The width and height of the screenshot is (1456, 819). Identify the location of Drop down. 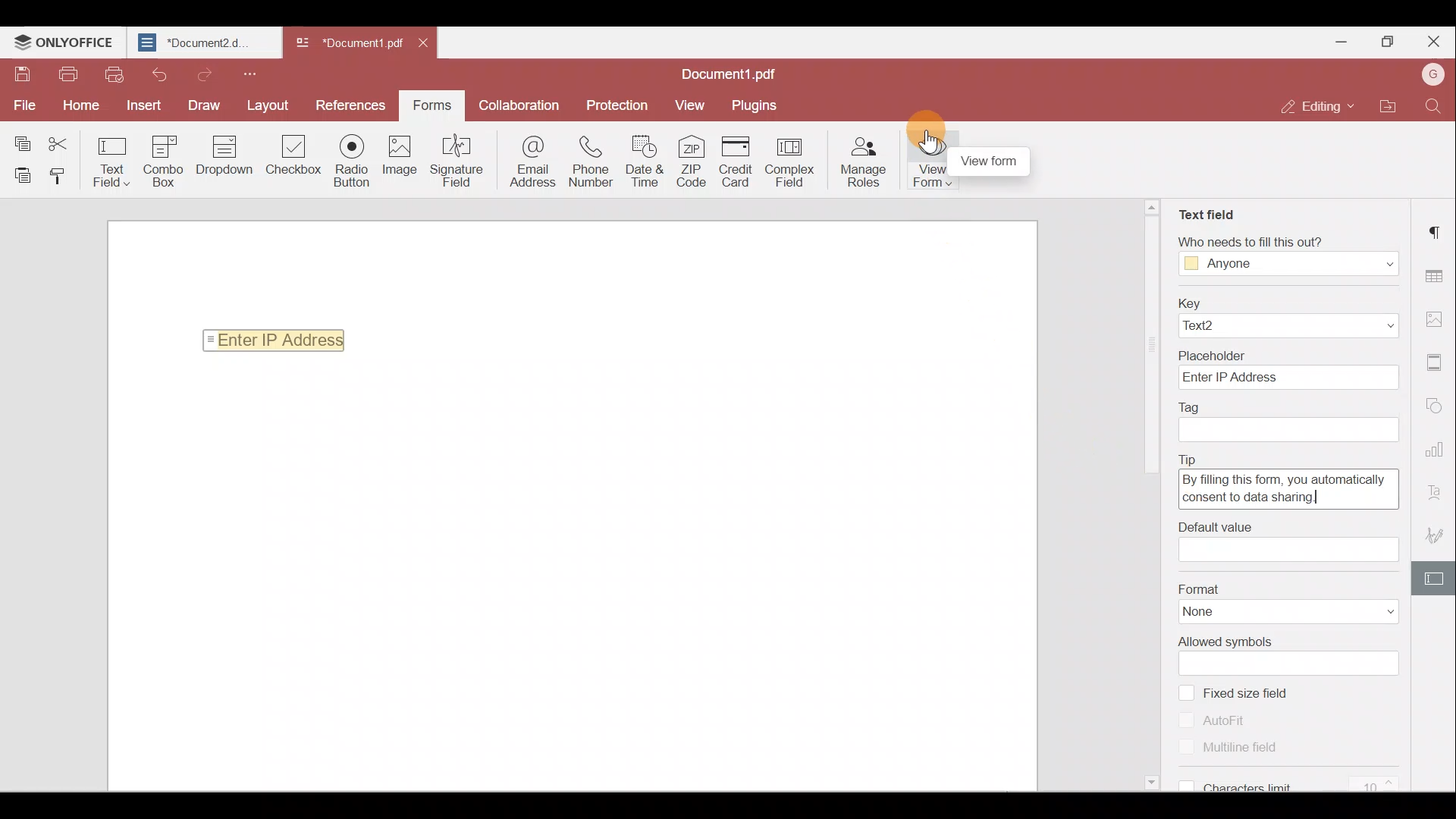
(230, 157).